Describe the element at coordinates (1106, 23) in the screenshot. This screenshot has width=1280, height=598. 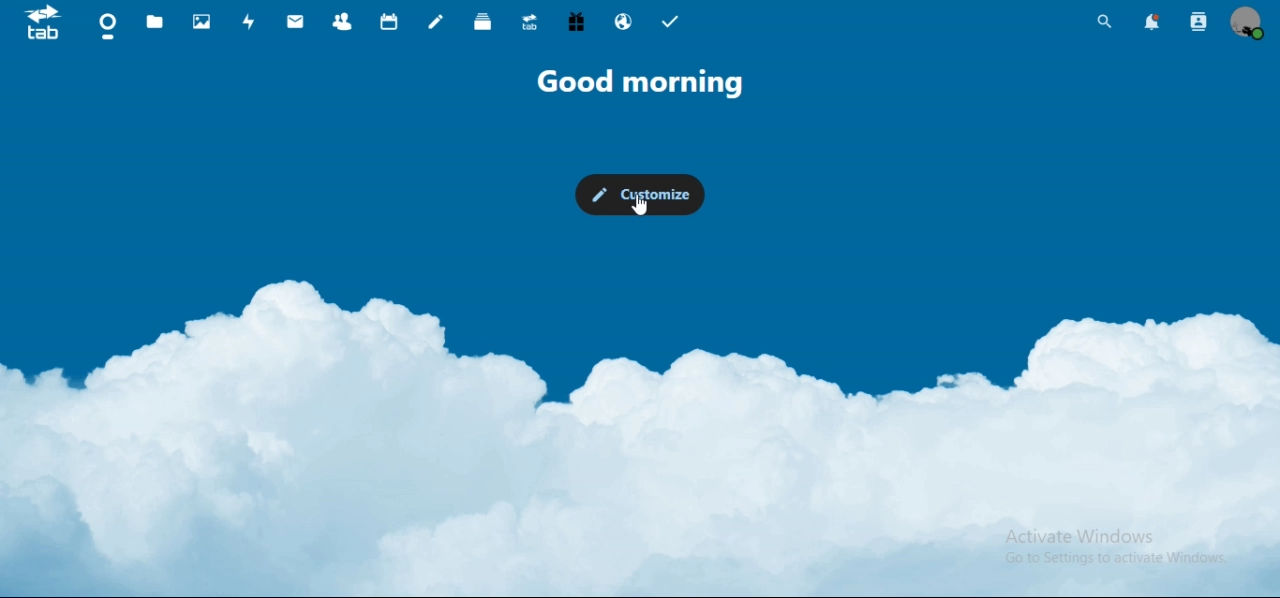
I see `search` at that location.